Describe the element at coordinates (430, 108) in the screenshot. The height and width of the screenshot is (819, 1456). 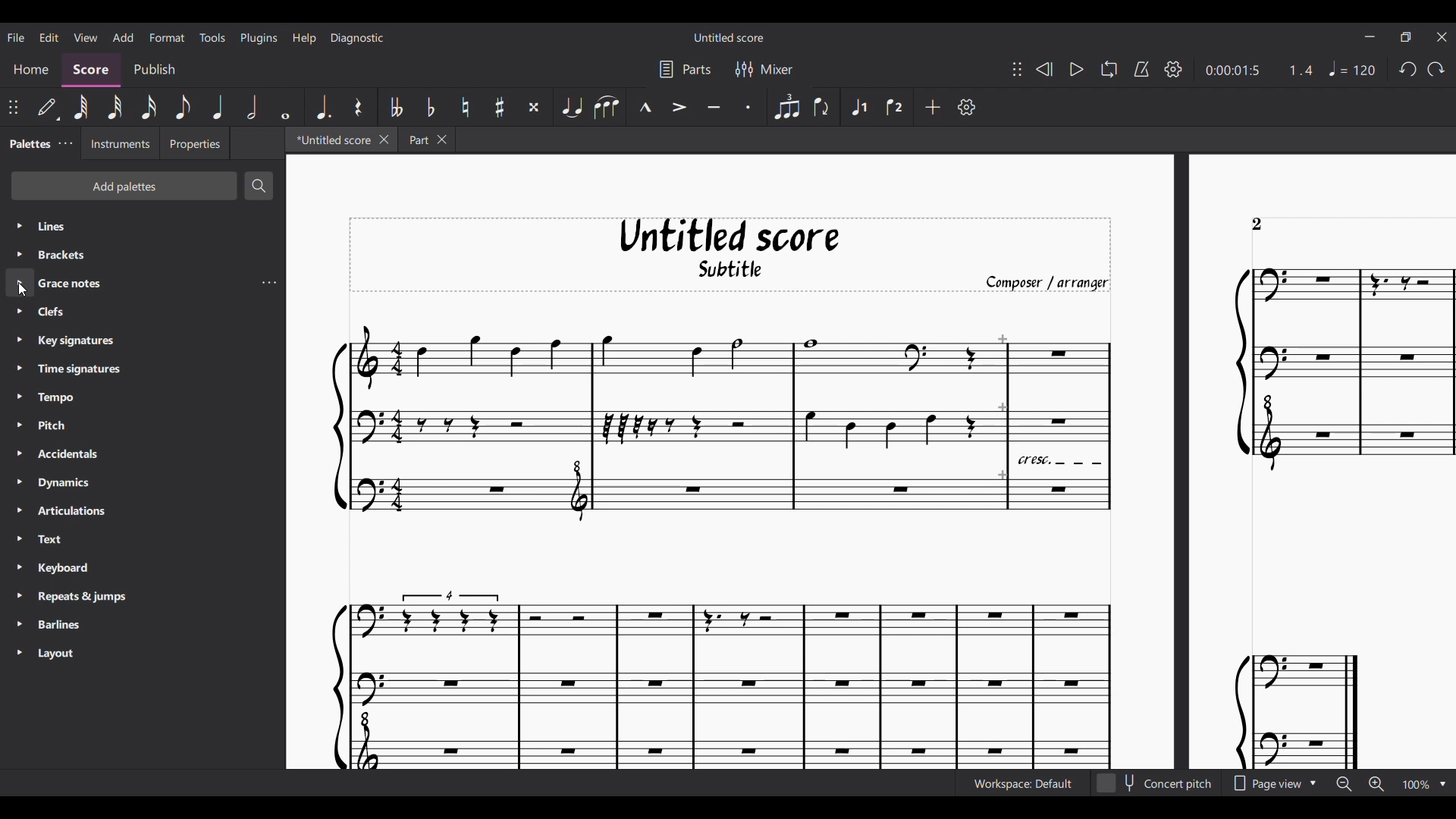
I see `Toggle flat` at that location.